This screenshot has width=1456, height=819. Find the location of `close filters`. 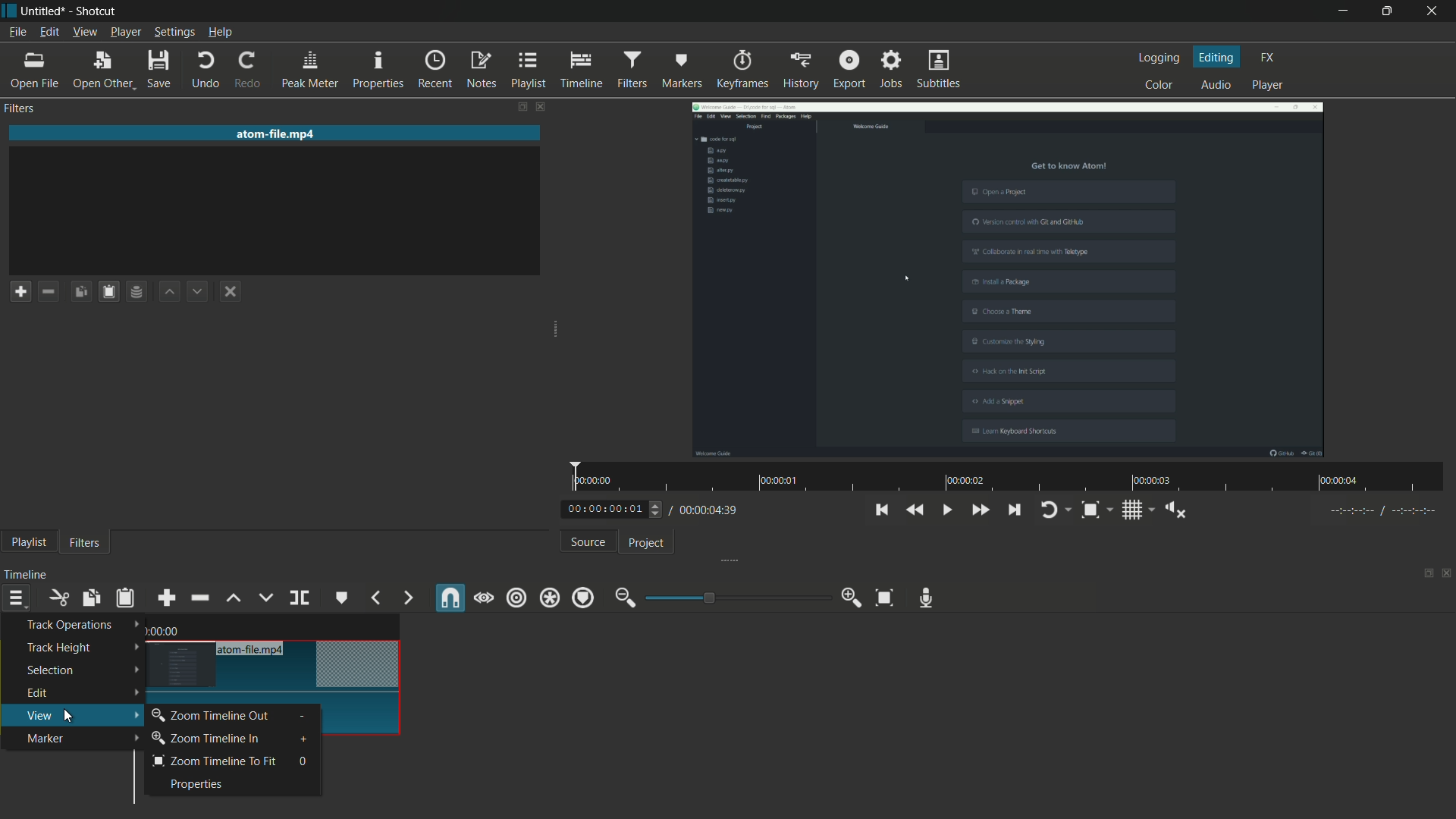

close filters is located at coordinates (543, 106).